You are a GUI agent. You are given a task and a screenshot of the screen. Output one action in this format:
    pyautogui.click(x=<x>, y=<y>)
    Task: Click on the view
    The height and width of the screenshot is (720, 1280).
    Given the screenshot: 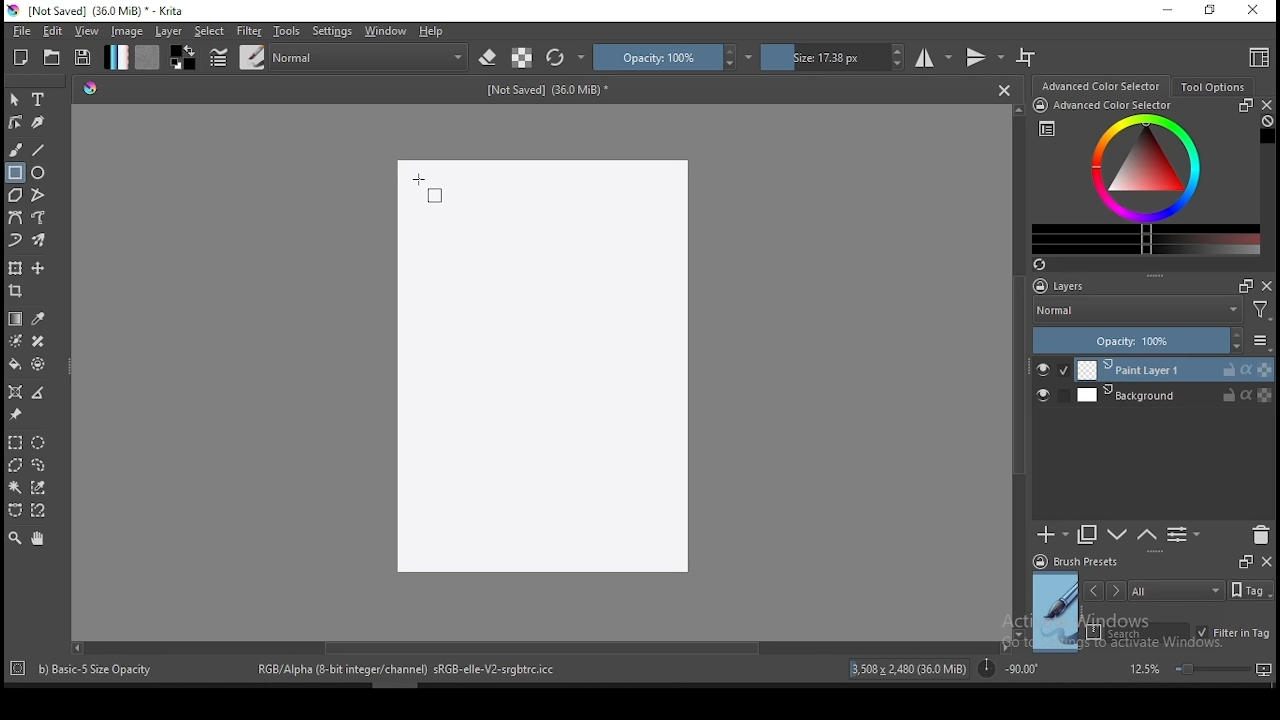 What is the action you would take?
    pyautogui.click(x=86, y=31)
    